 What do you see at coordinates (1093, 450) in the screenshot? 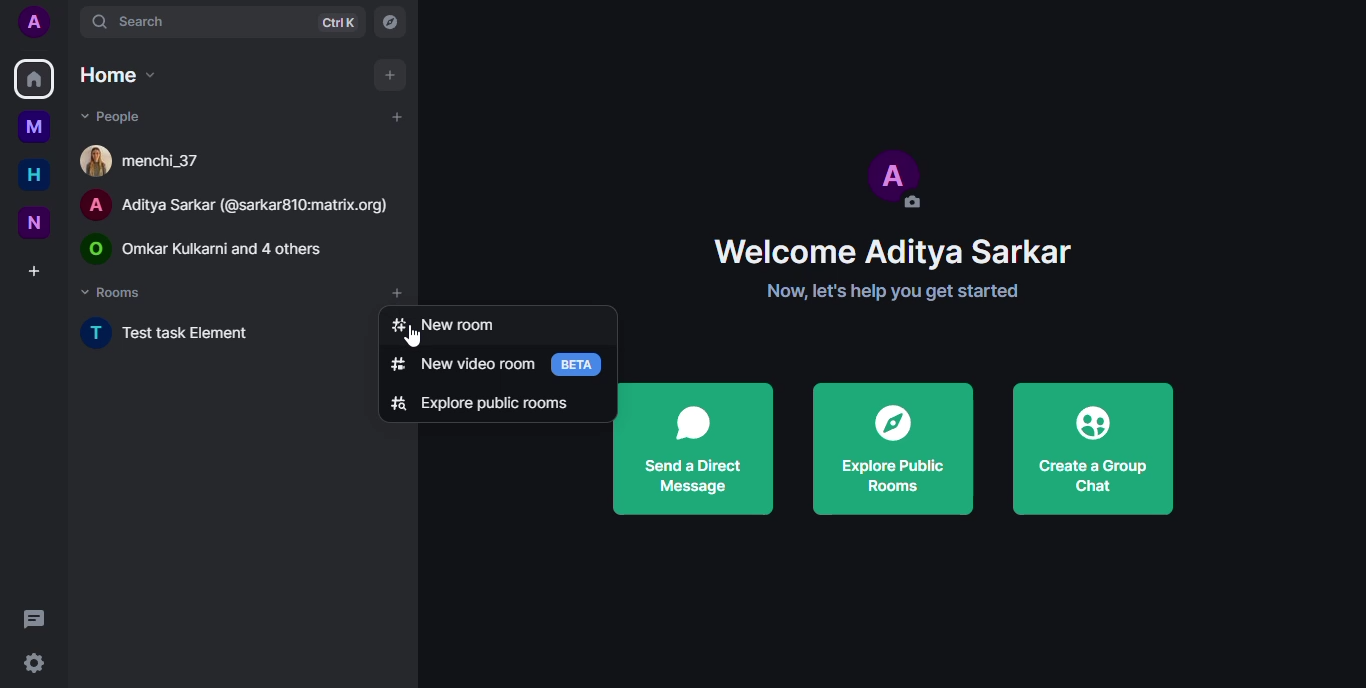
I see `create a group chat` at bounding box center [1093, 450].